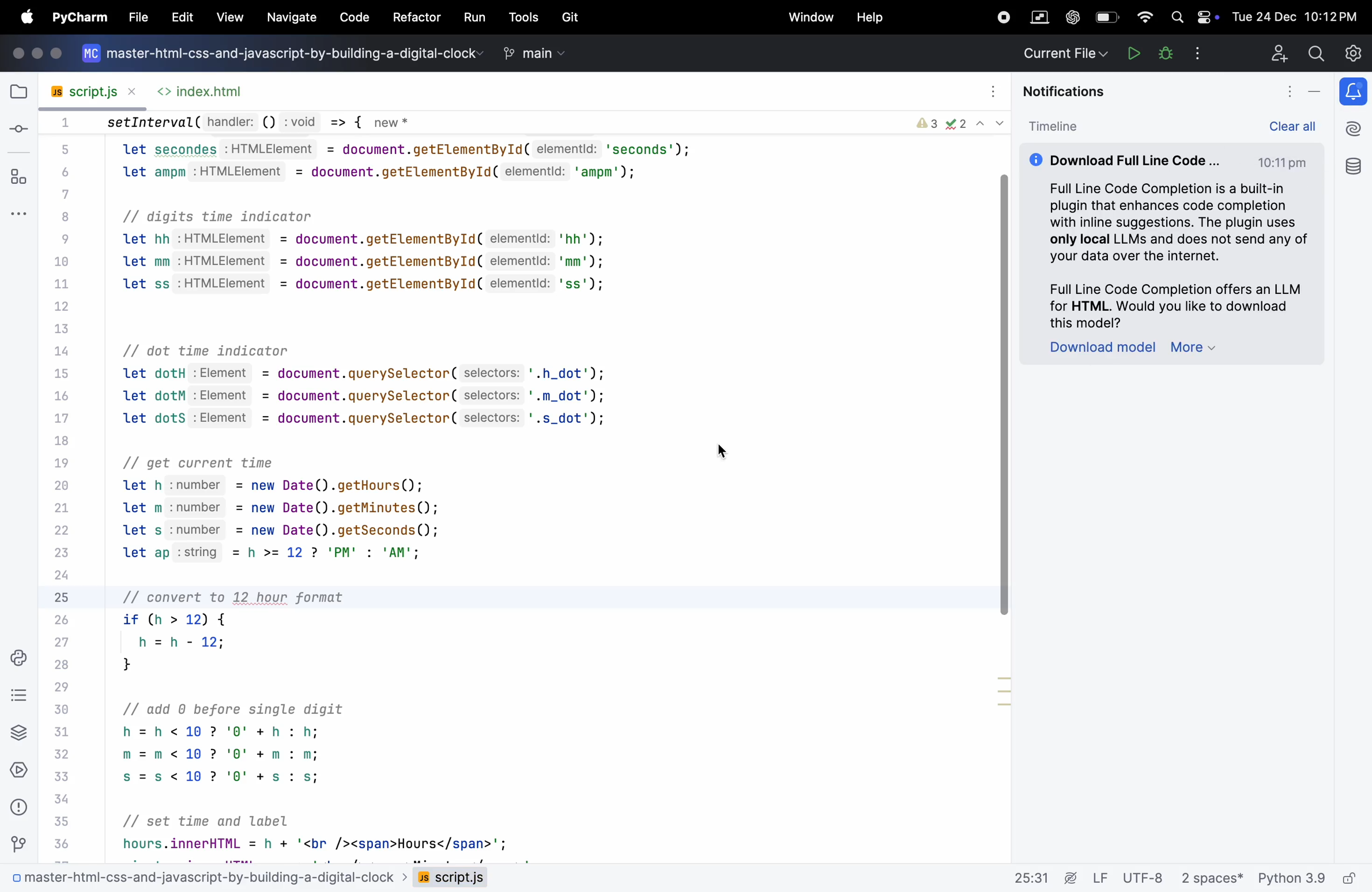  Describe the element at coordinates (39, 54) in the screenshot. I see `icons` at that location.